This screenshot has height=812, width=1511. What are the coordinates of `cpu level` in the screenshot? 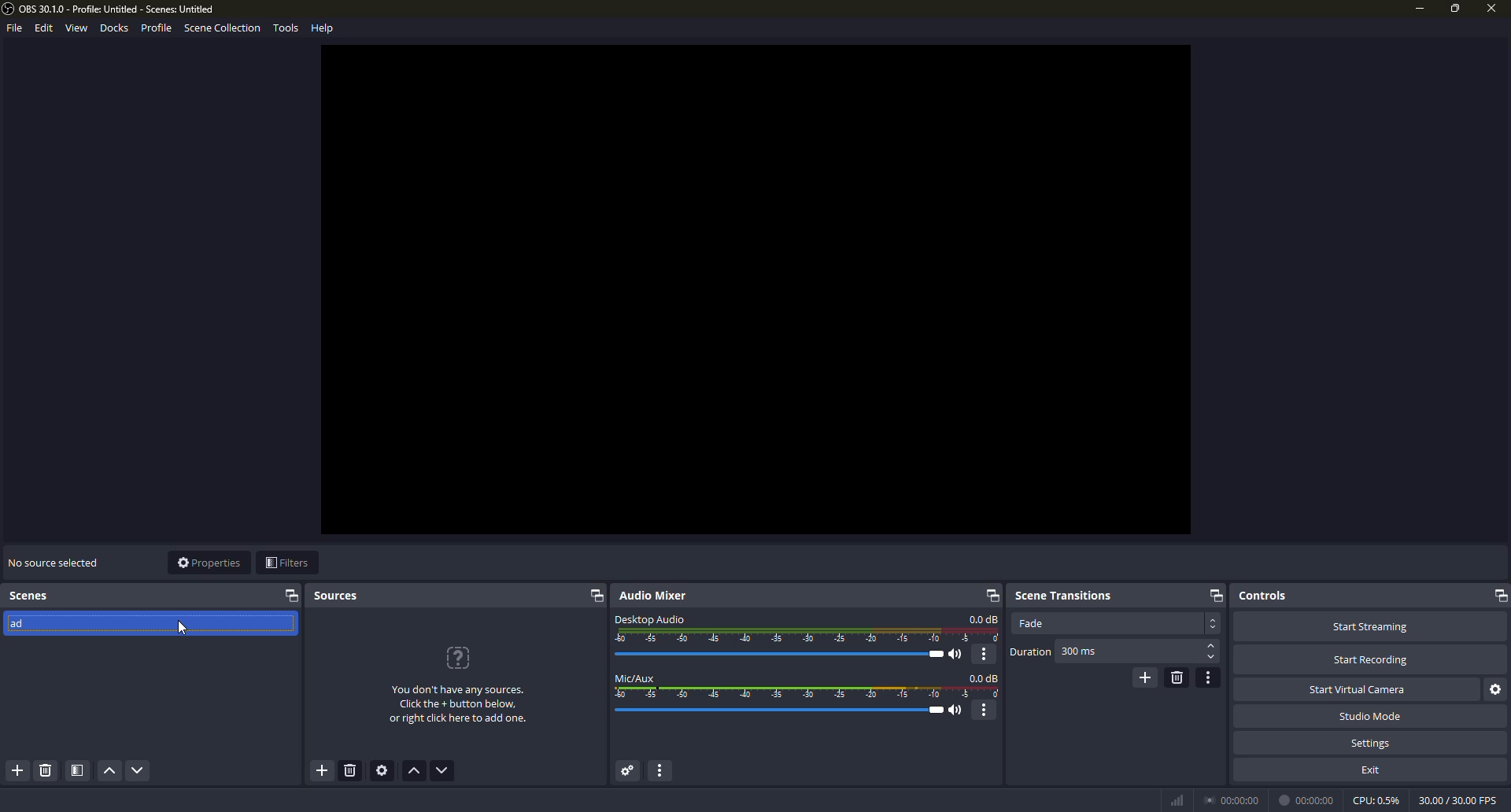 It's located at (1376, 799).